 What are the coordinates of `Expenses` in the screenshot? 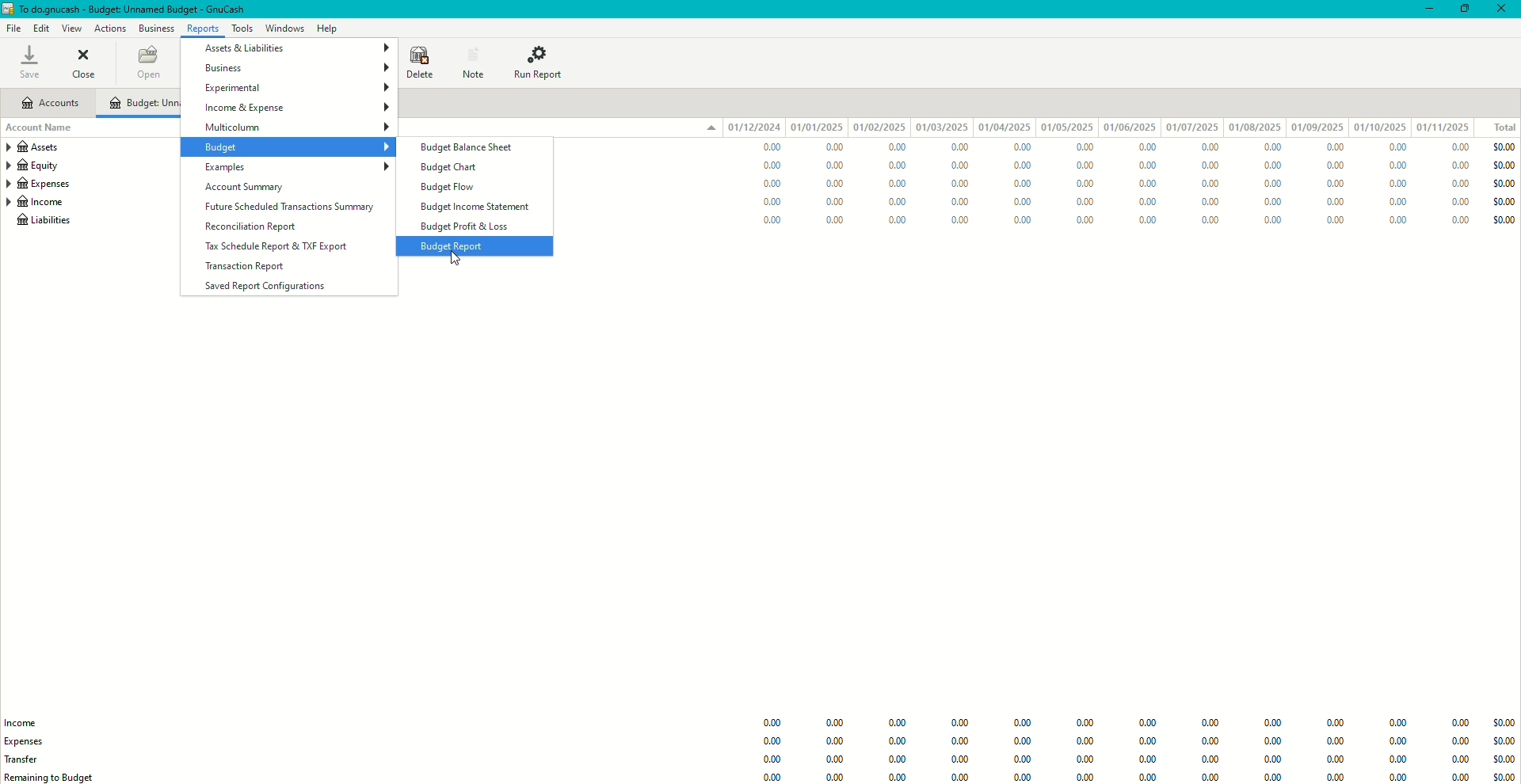 It's located at (32, 740).